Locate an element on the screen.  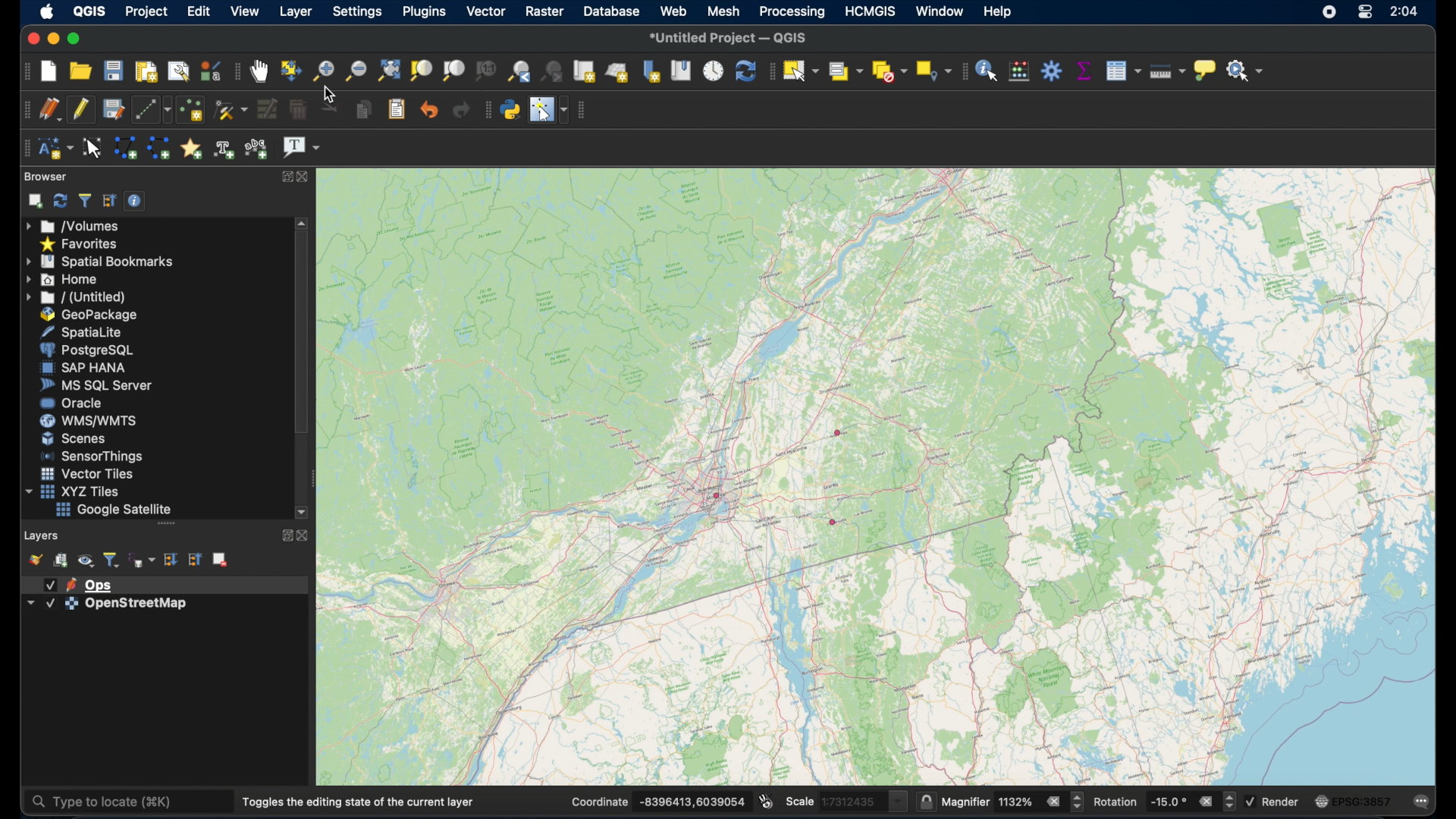
expand is located at coordinates (285, 537).